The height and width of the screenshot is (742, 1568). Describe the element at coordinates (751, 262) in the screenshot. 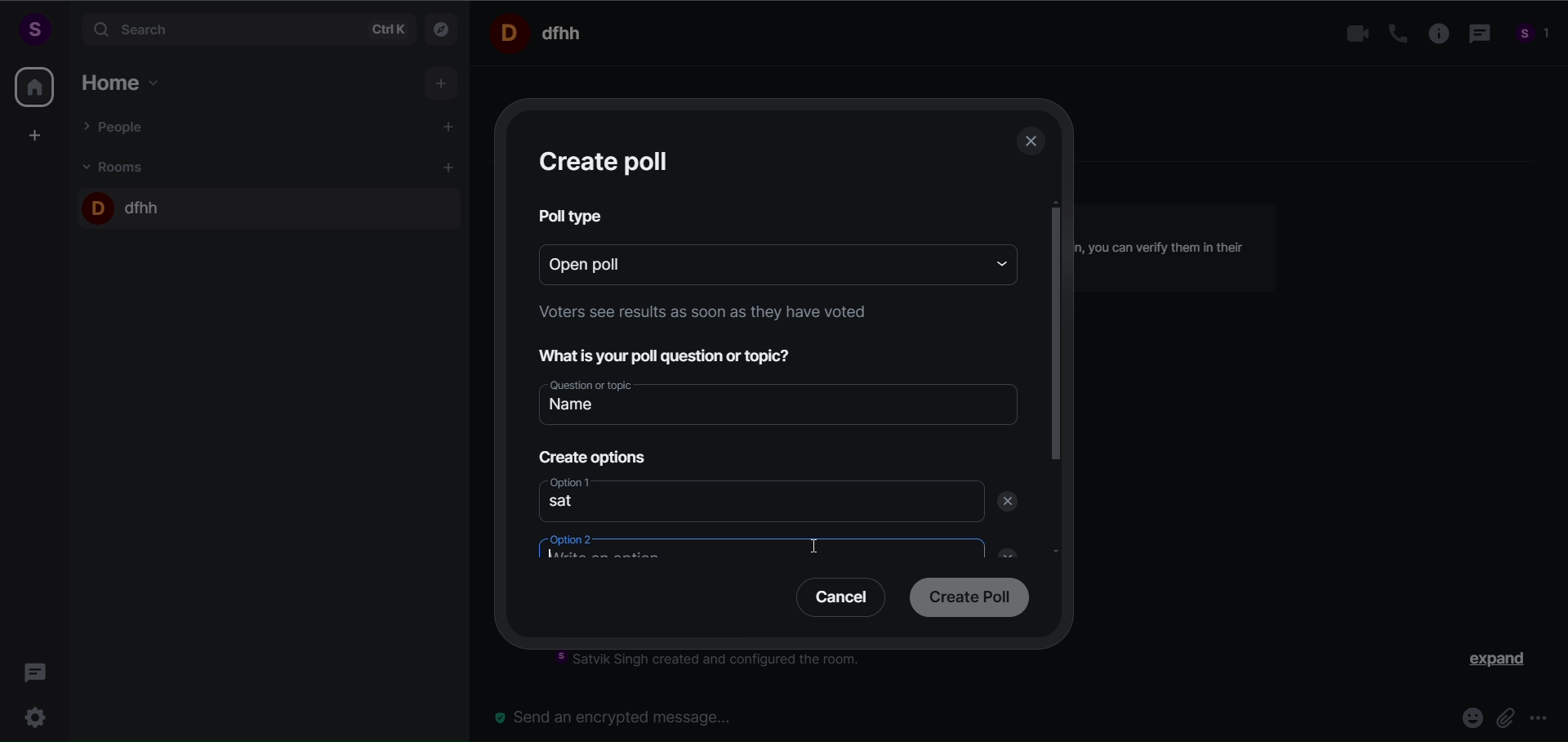

I see `open poll` at that location.